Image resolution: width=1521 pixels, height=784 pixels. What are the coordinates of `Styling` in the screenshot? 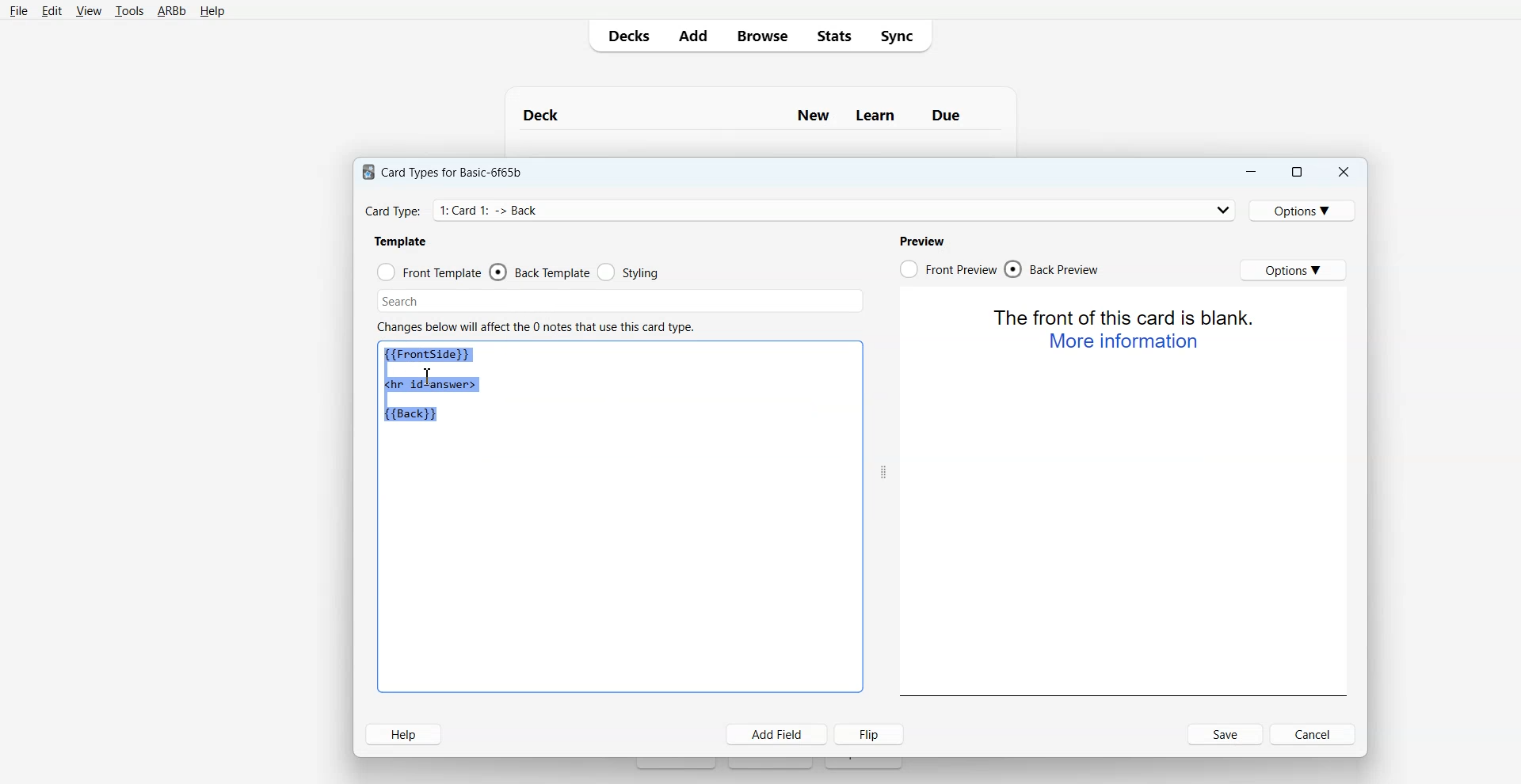 It's located at (628, 272).